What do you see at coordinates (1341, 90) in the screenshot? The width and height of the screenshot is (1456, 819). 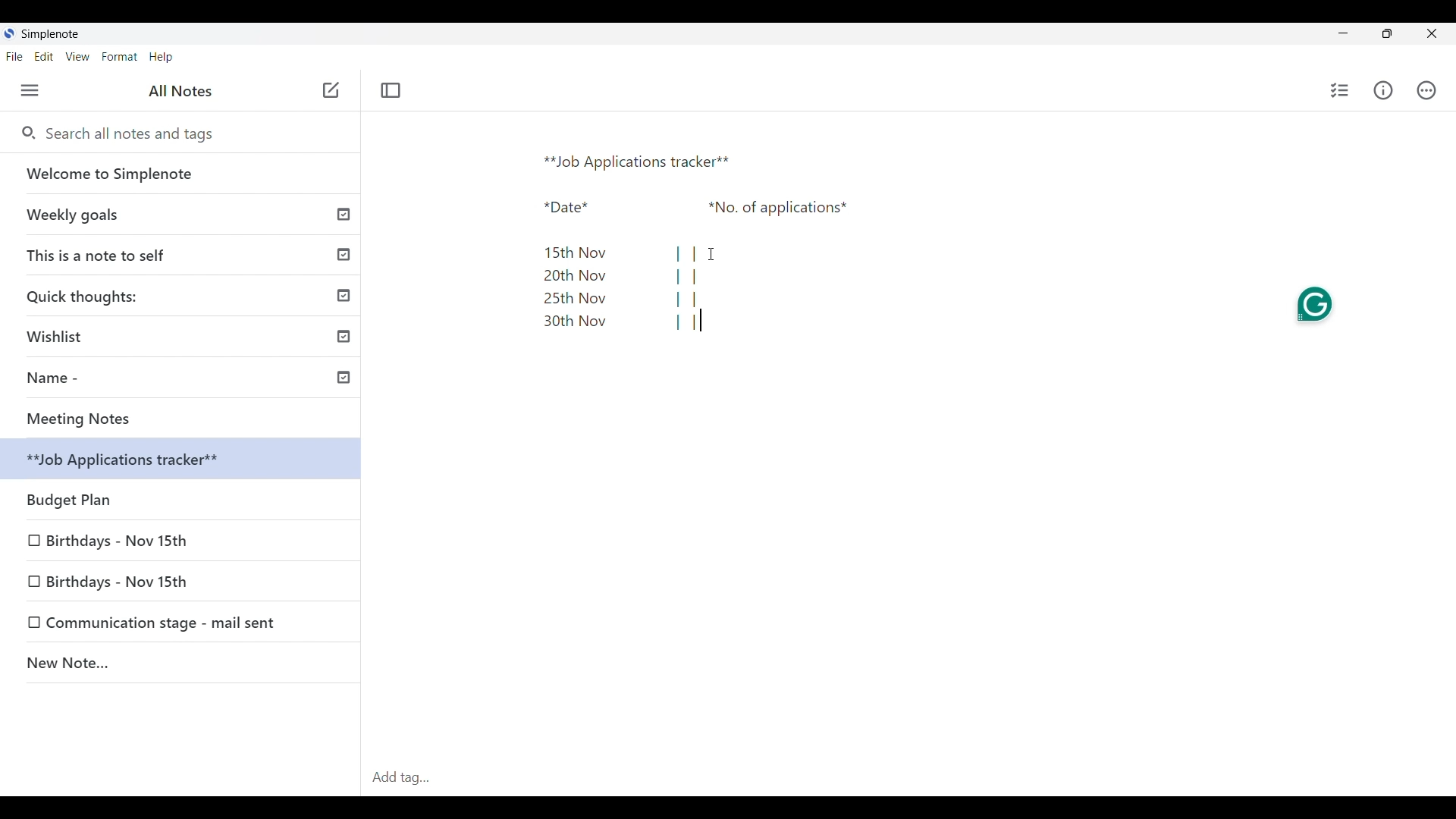 I see `Click to insert checklist` at bounding box center [1341, 90].